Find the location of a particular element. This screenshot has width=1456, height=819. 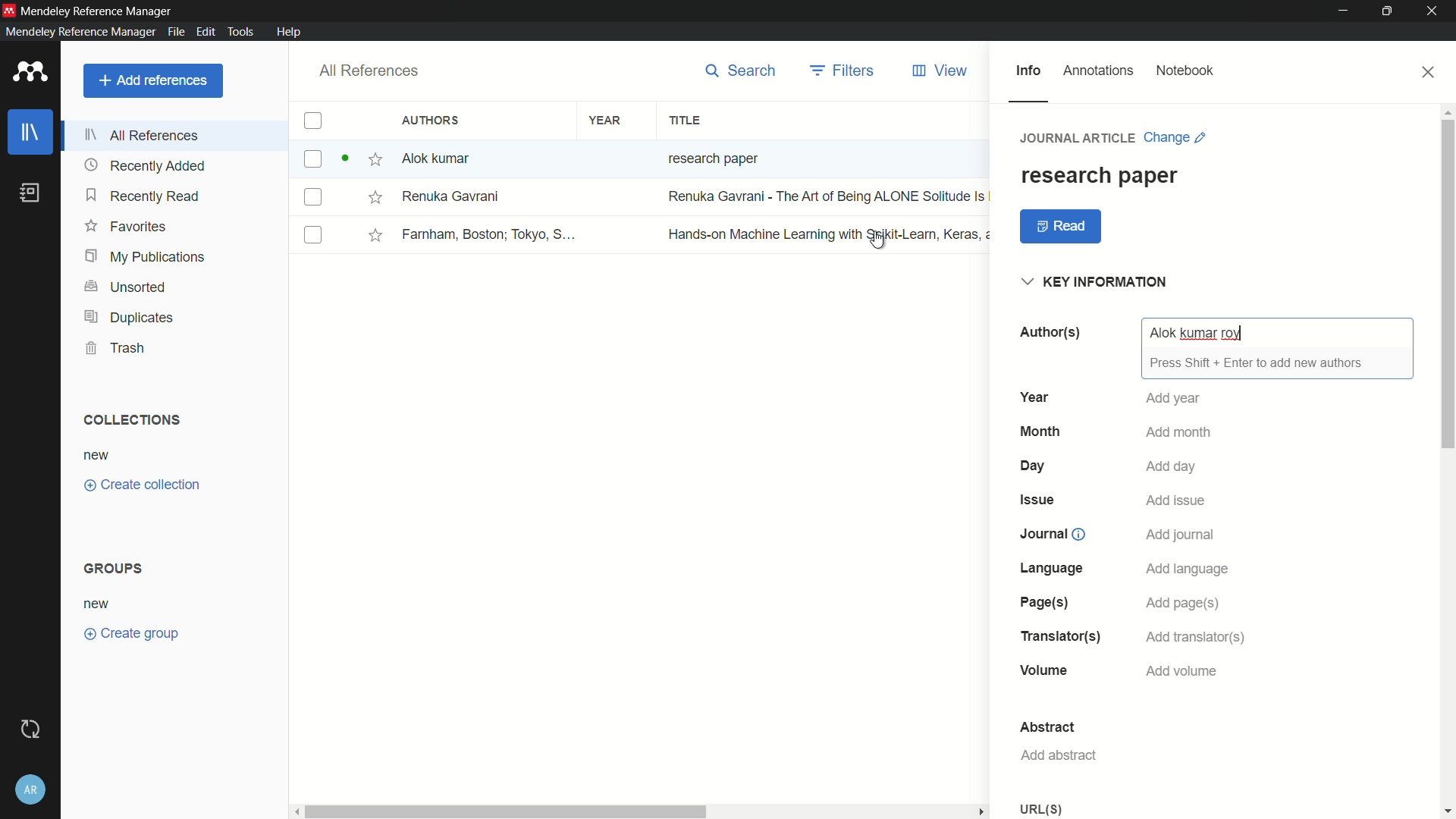

page is located at coordinates (1043, 602).